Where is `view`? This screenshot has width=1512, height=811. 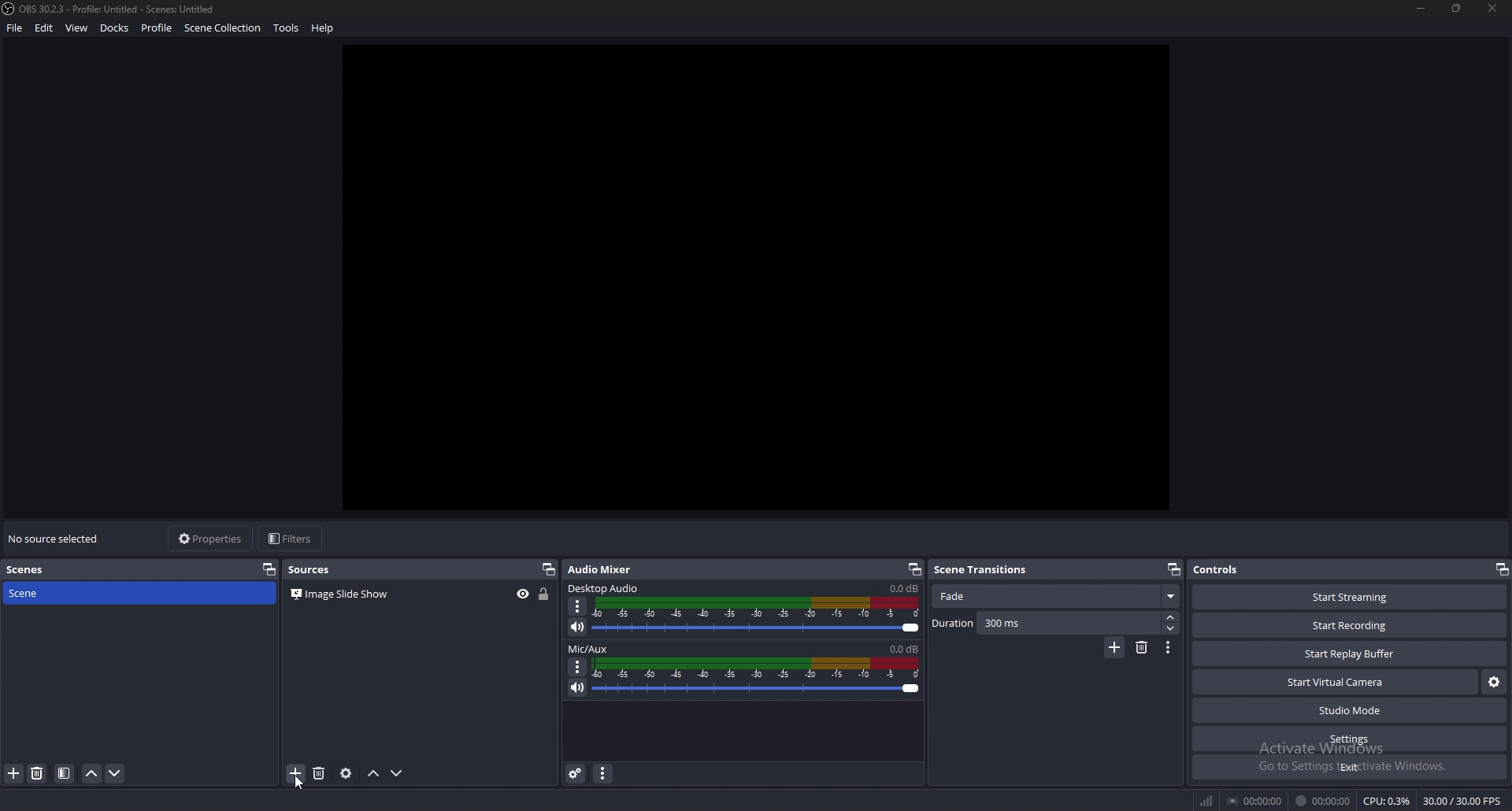
view is located at coordinates (78, 28).